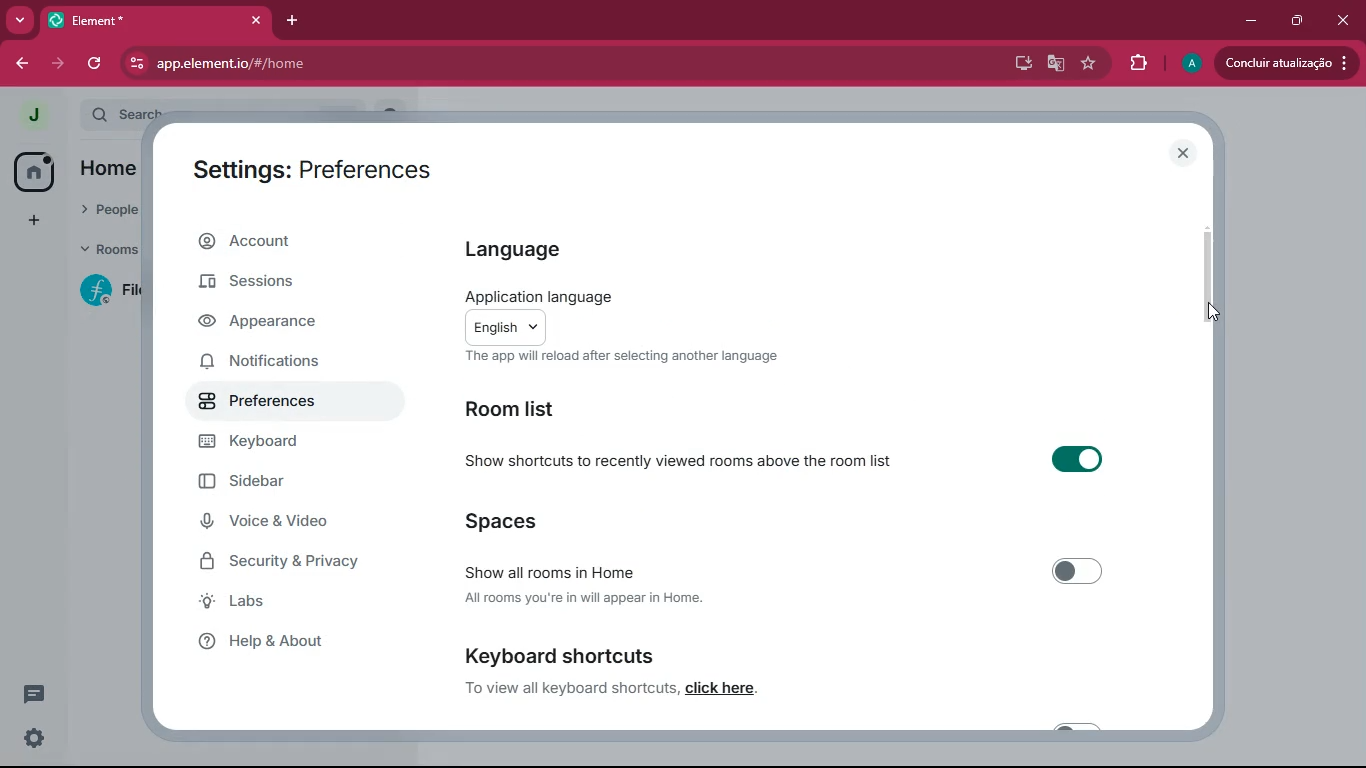 The width and height of the screenshot is (1366, 768). I want to click on minimize, so click(1249, 19).